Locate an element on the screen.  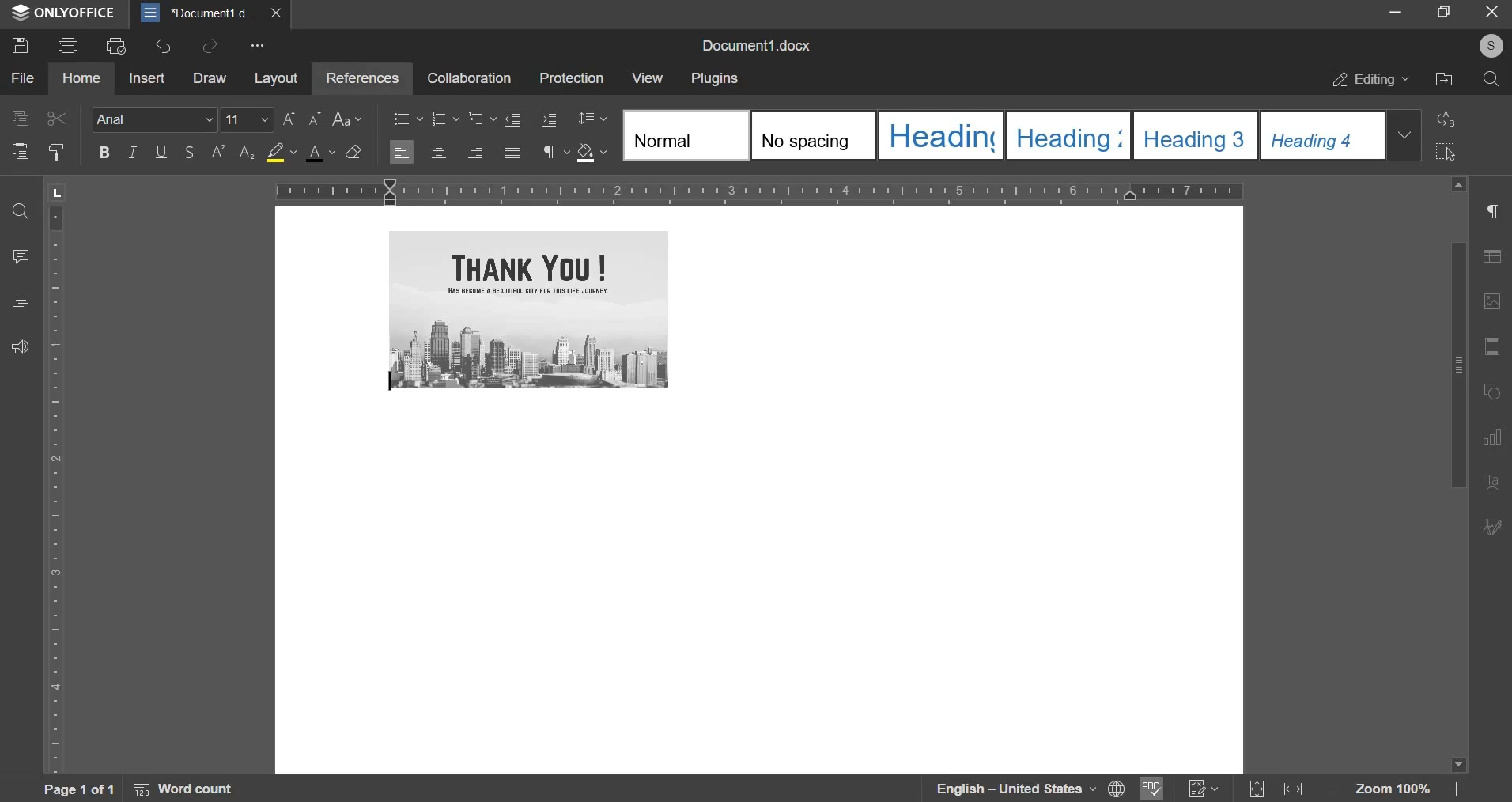
redo is located at coordinates (210, 45).